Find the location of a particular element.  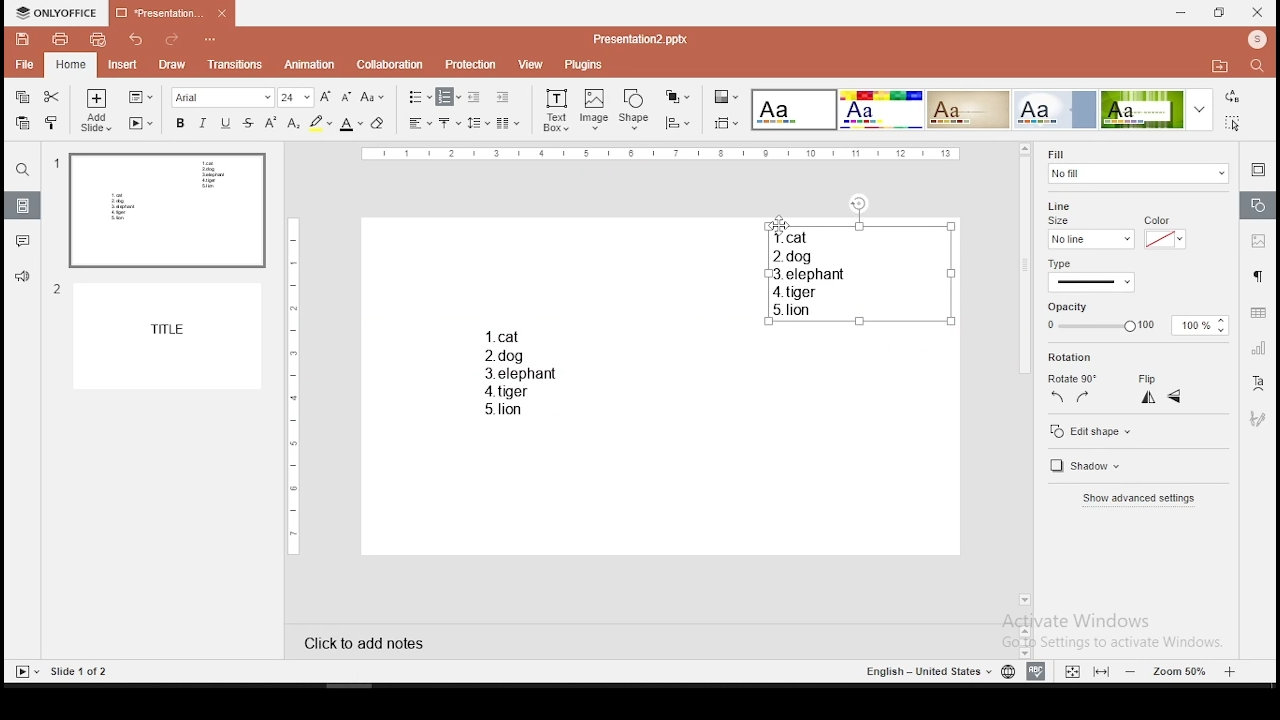

flip horizontal is located at coordinates (1175, 397).